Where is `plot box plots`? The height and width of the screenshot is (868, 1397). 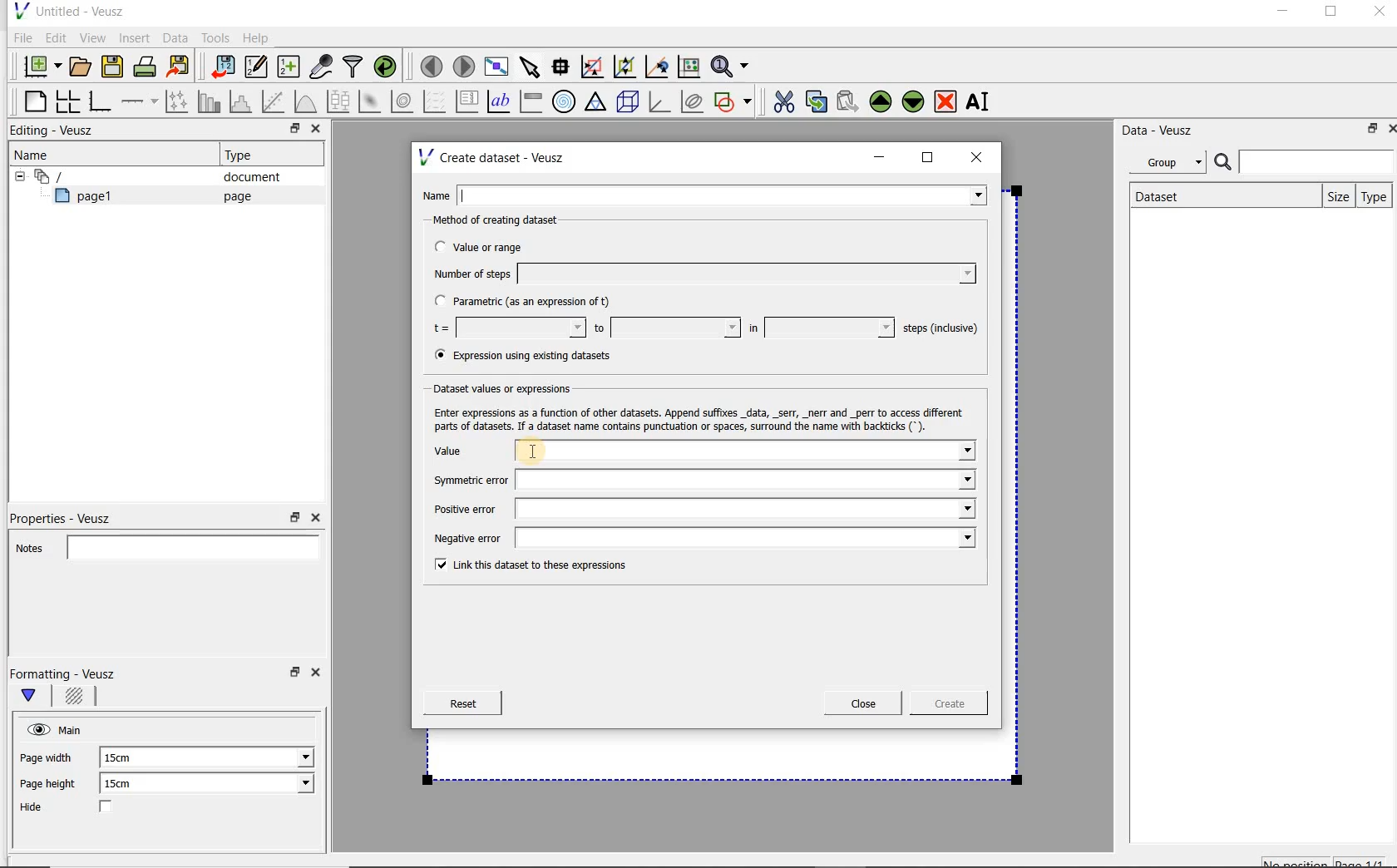
plot box plots is located at coordinates (338, 102).